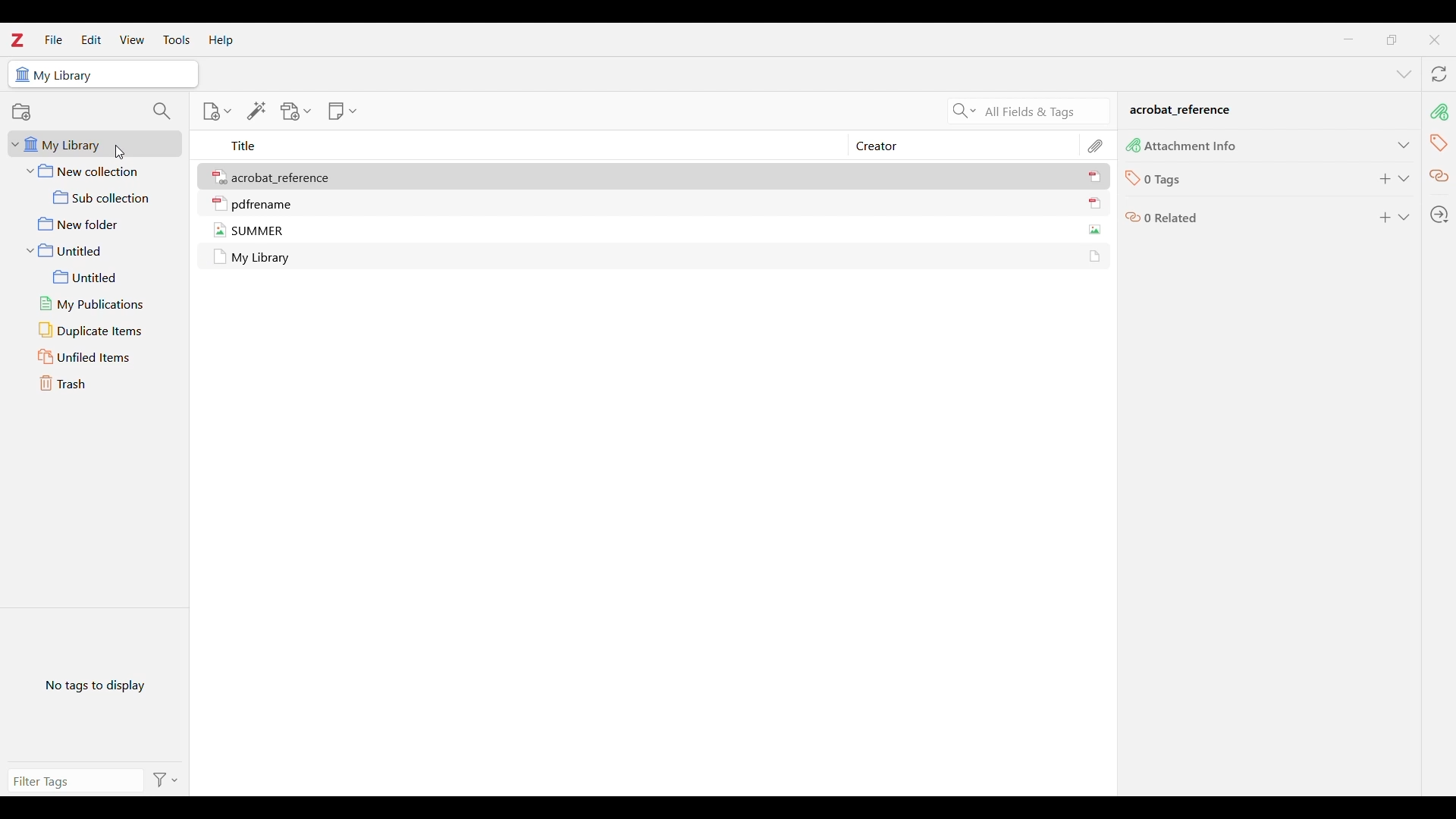 This screenshot has height=819, width=1456. What do you see at coordinates (1348, 39) in the screenshot?
I see `Minimize` at bounding box center [1348, 39].